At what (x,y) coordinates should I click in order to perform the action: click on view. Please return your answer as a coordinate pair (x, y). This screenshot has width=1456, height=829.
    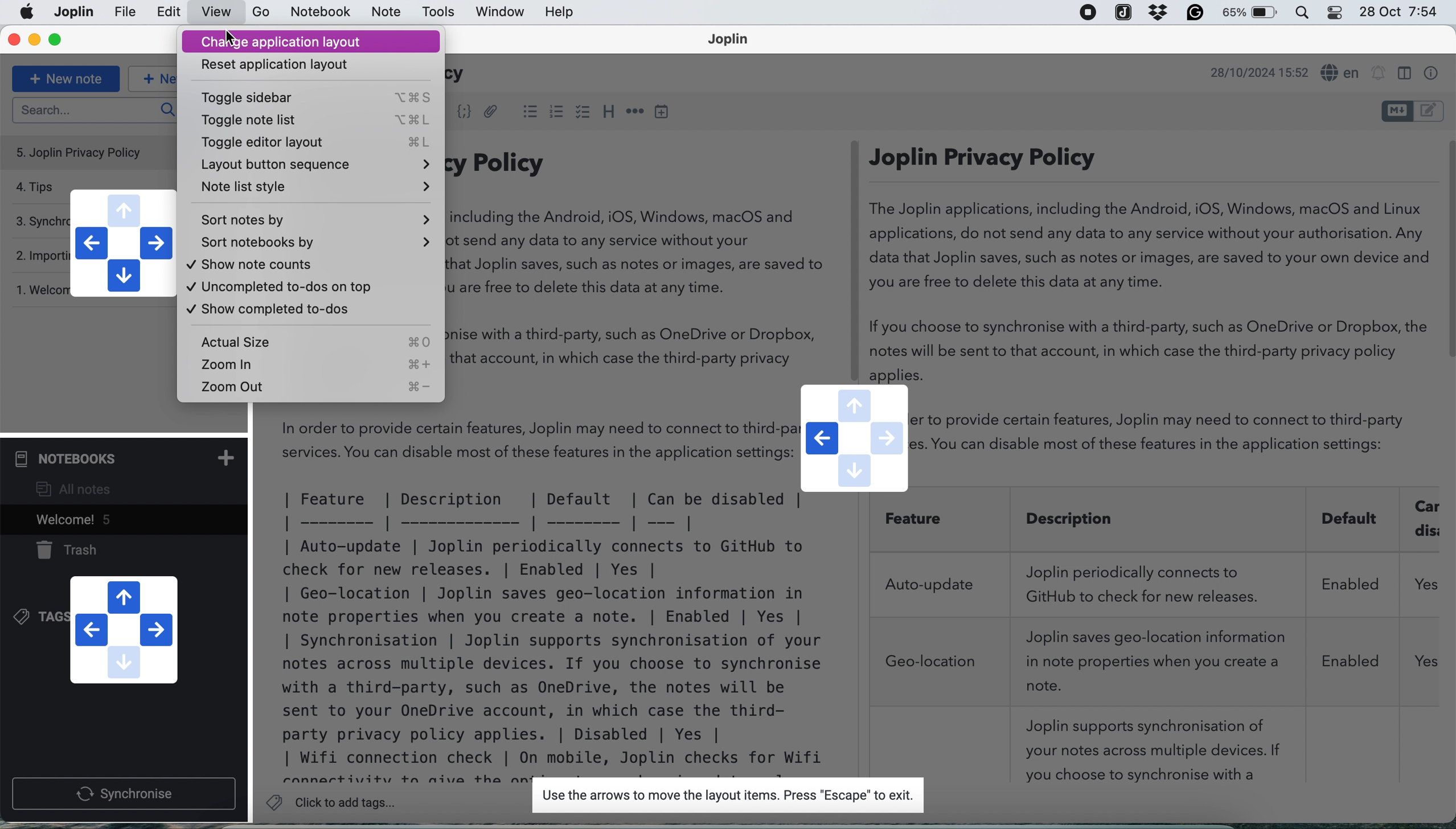
    Looking at the image, I should click on (216, 13).